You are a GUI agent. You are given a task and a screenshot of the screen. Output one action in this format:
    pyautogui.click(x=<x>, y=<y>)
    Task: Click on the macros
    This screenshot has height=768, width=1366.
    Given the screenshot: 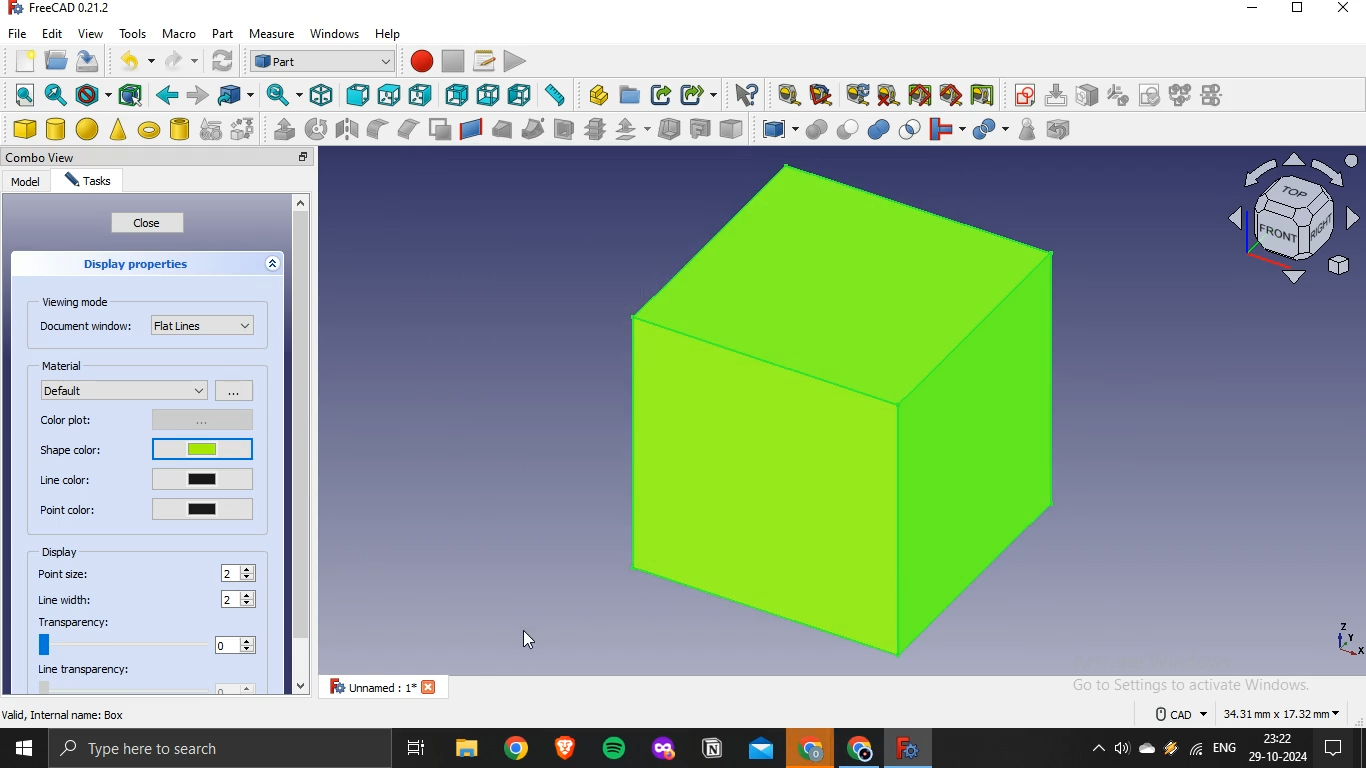 What is the action you would take?
    pyautogui.click(x=484, y=60)
    